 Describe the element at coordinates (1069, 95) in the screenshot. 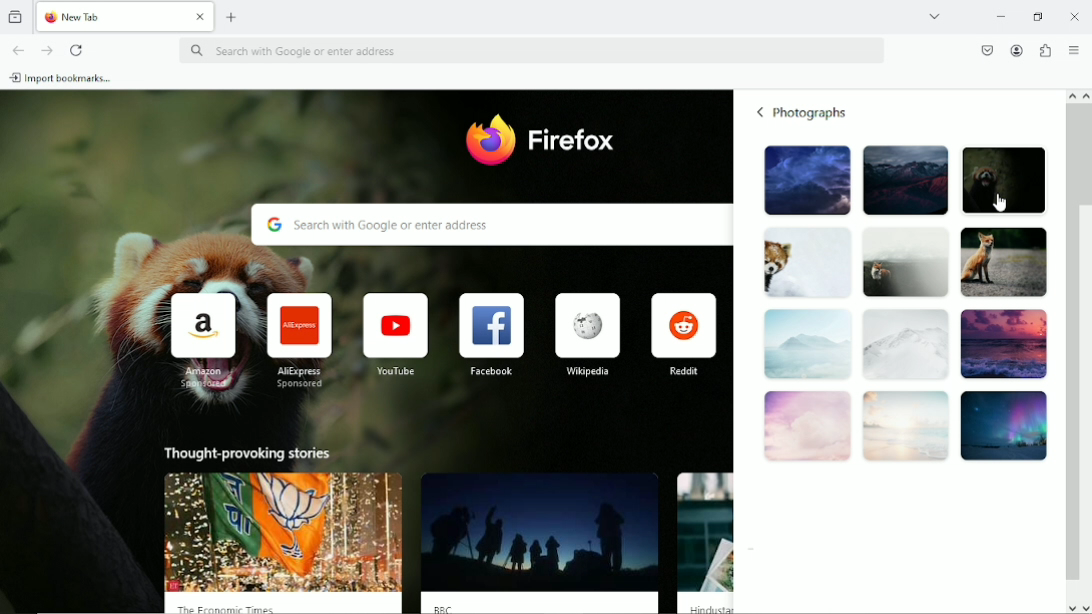

I see `scroll up` at that location.